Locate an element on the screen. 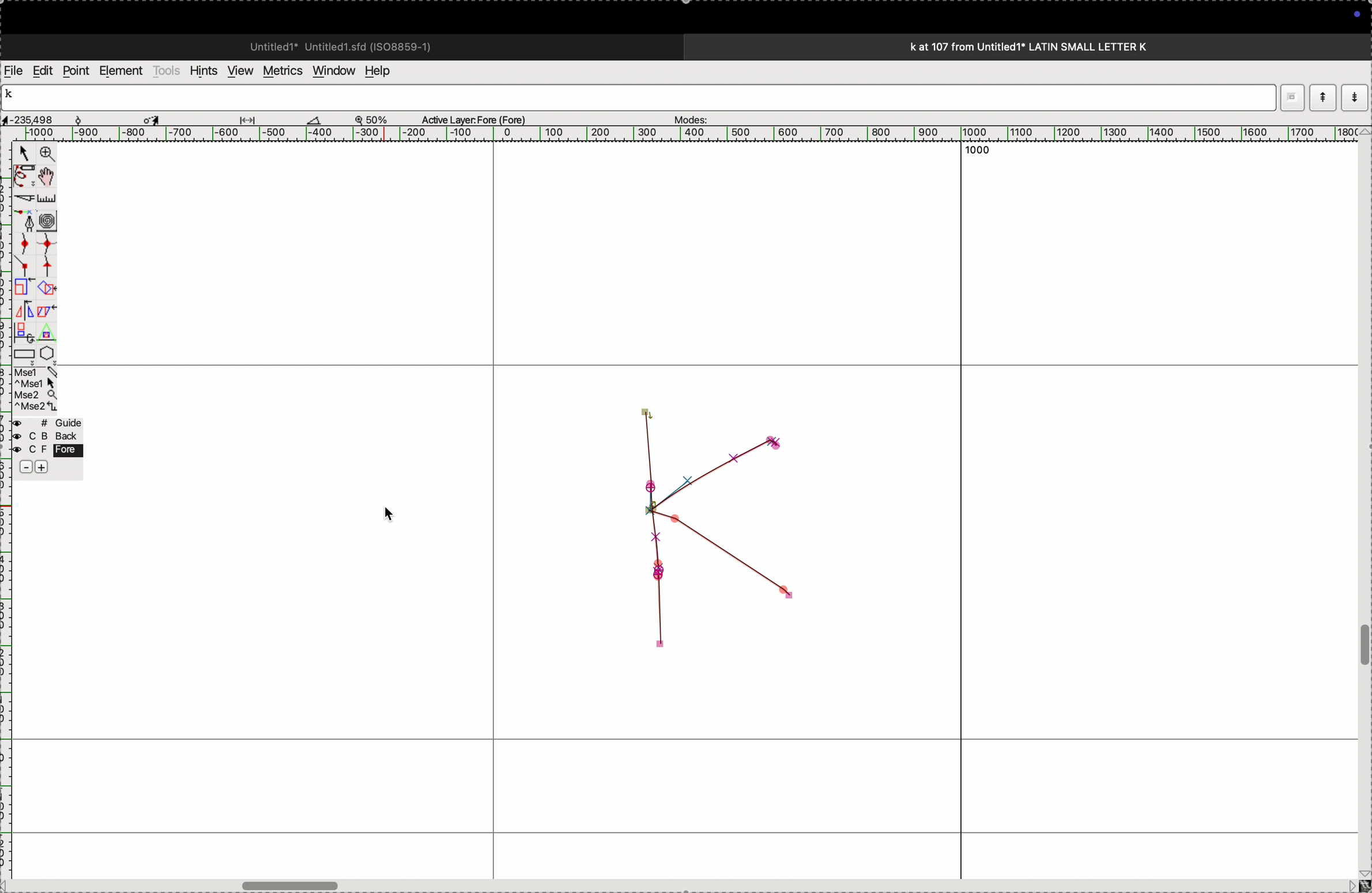 This screenshot has width=1372, height=893. glyph K is located at coordinates (728, 526).